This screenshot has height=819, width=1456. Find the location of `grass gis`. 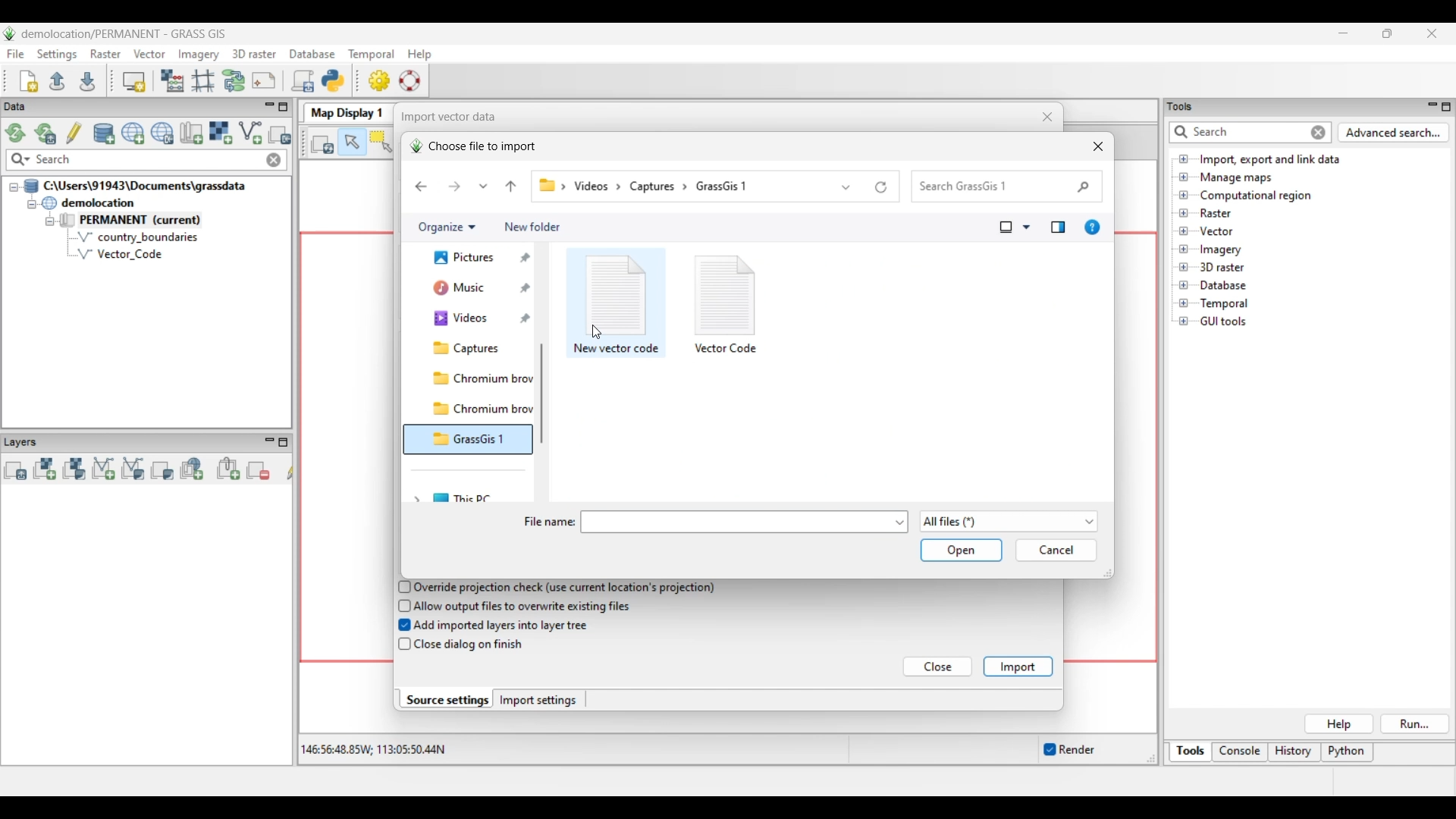

grass gis is located at coordinates (731, 187).